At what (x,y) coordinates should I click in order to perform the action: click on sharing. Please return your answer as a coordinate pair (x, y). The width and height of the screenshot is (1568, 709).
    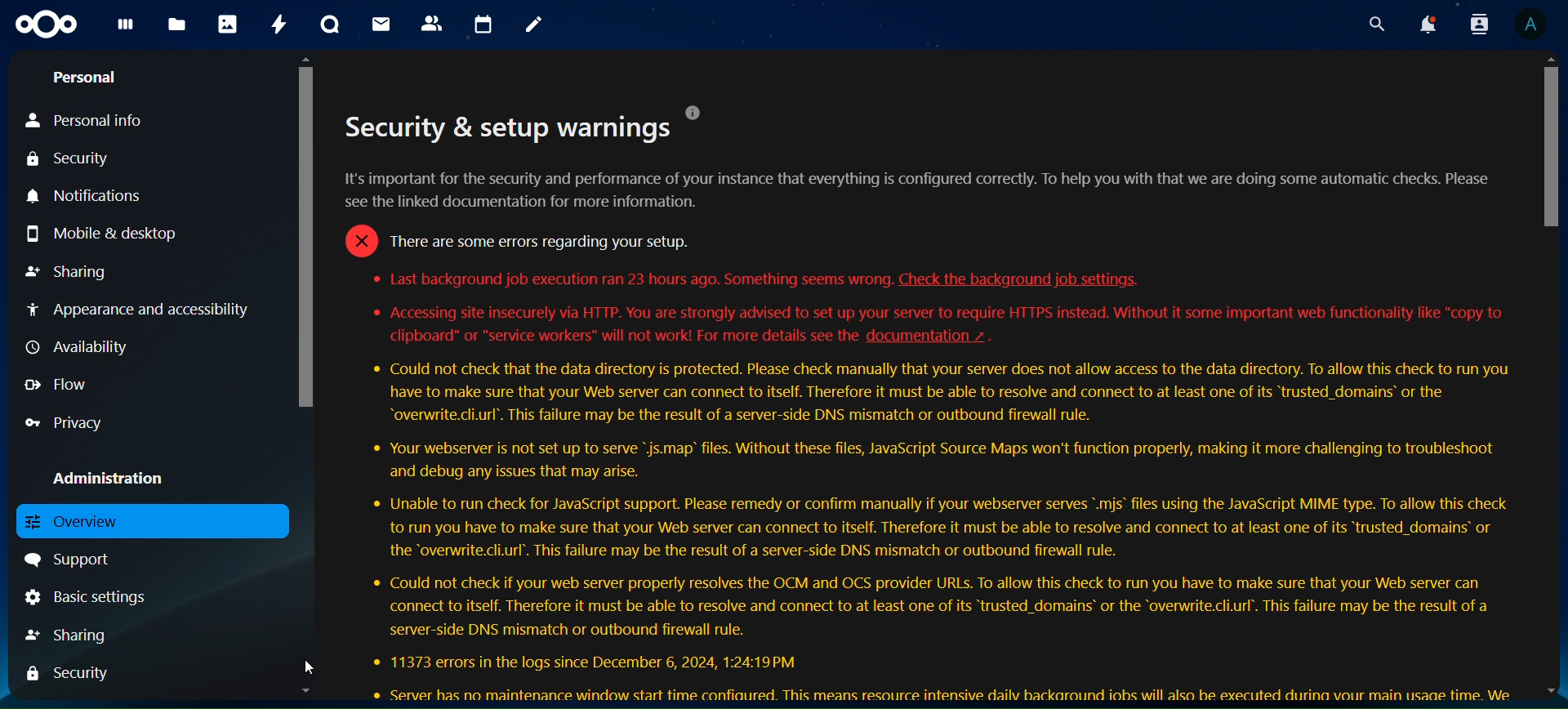
    Looking at the image, I should click on (65, 634).